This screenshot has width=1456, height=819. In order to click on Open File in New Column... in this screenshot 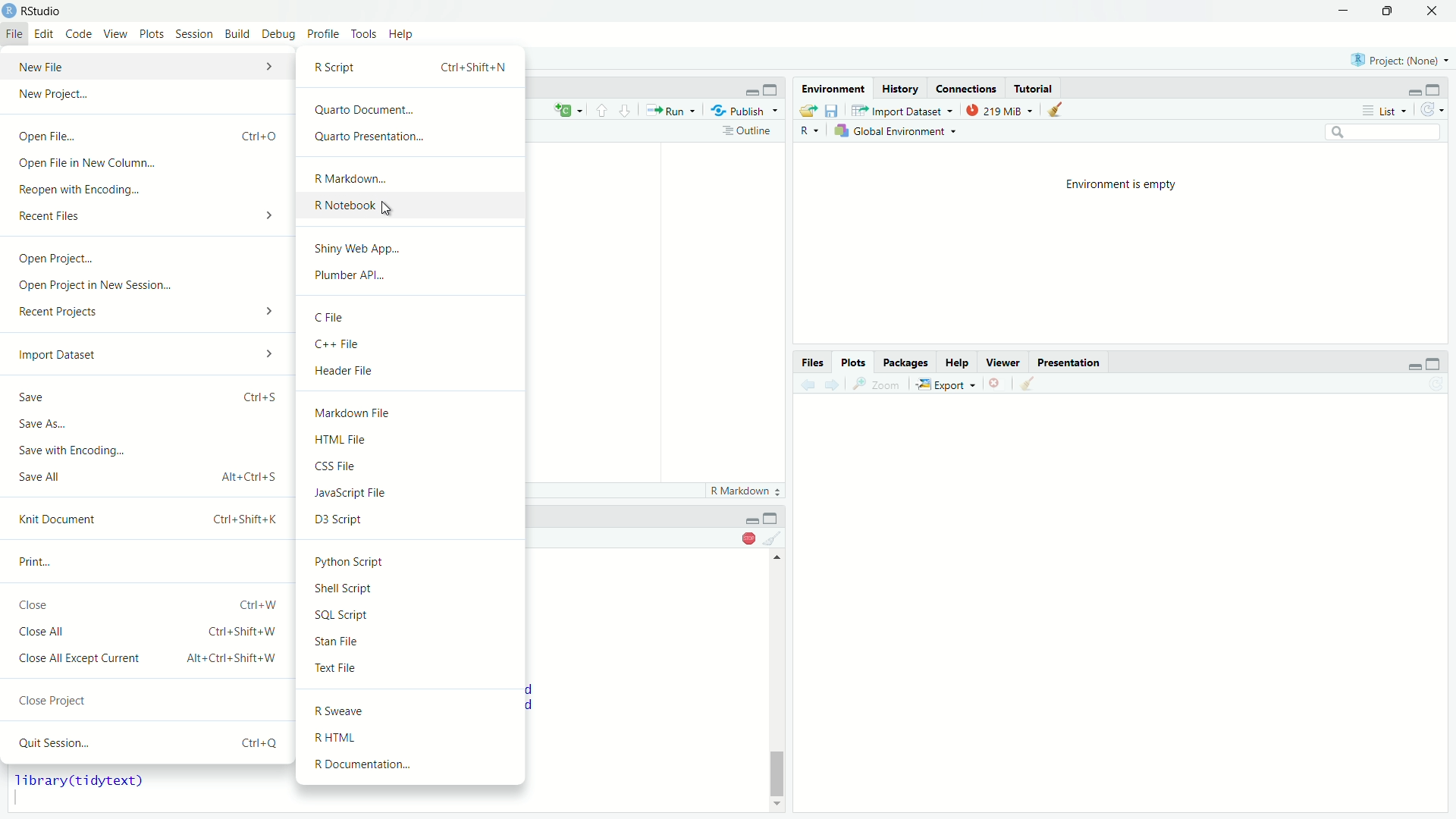, I will do `click(151, 165)`.